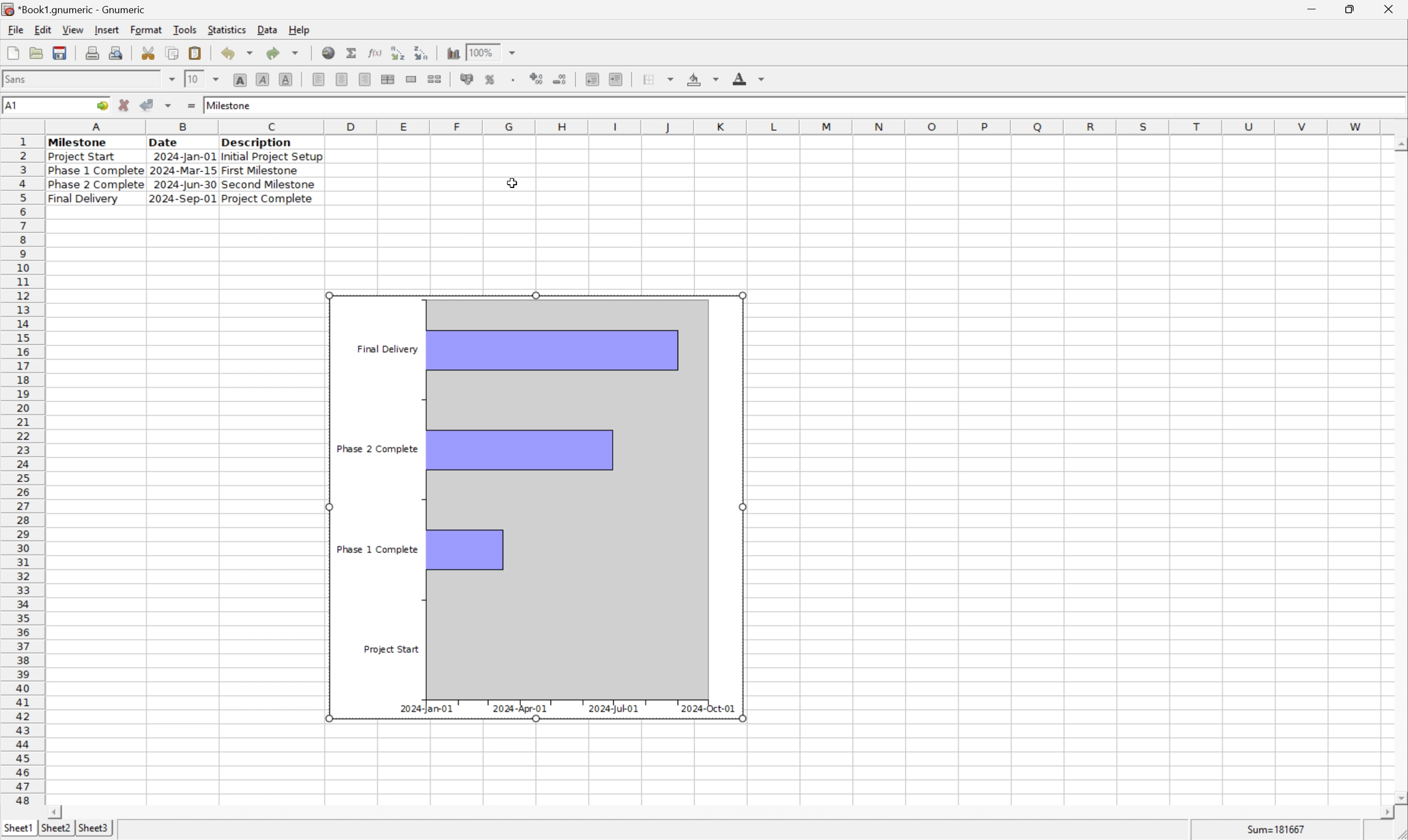  Describe the element at coordinates (663, 79) in the screenshot. I see `borders` at that location.